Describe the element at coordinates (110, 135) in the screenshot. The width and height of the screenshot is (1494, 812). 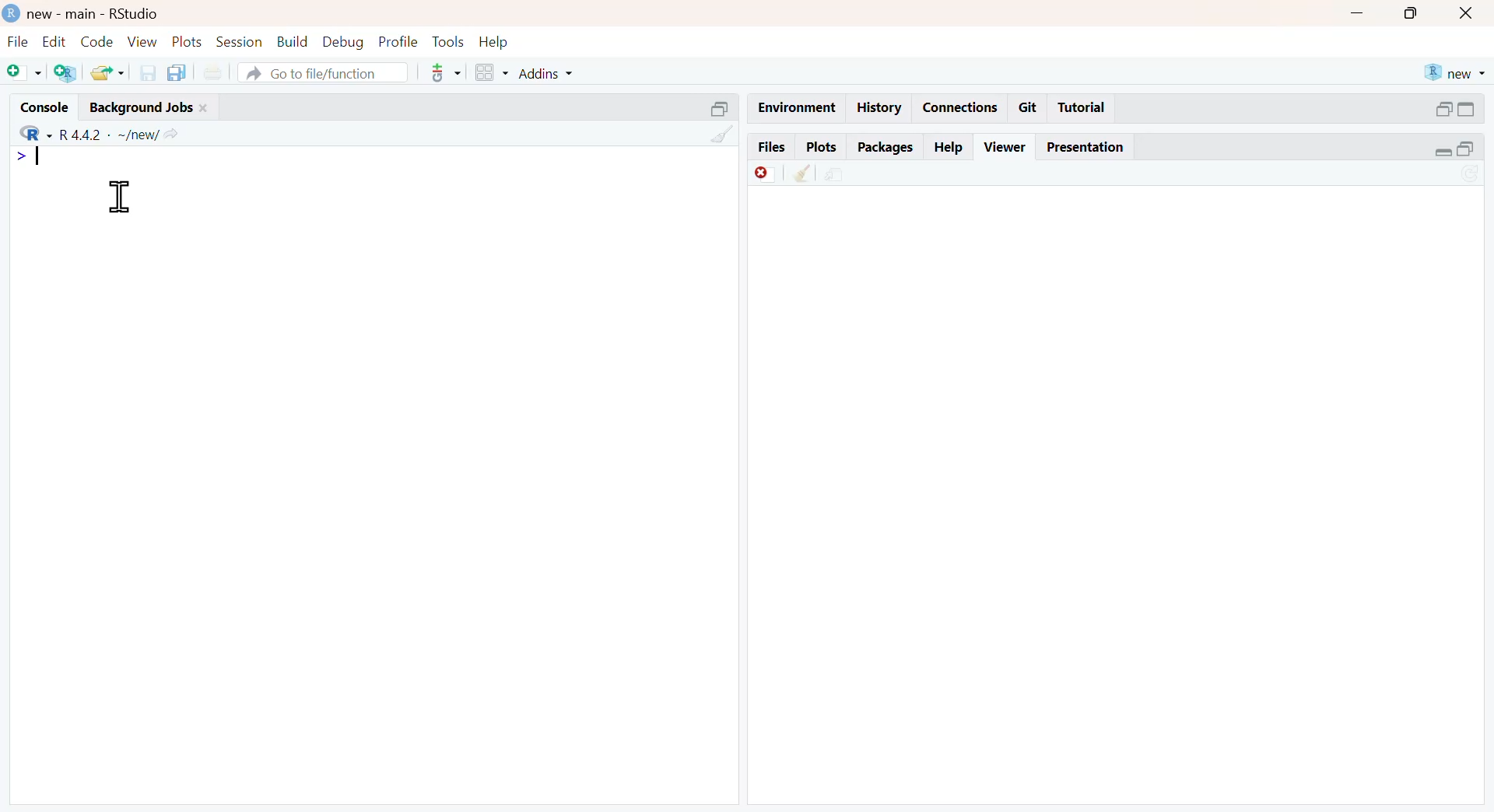
I see `R 4.4.2 ~/new/` at that location.